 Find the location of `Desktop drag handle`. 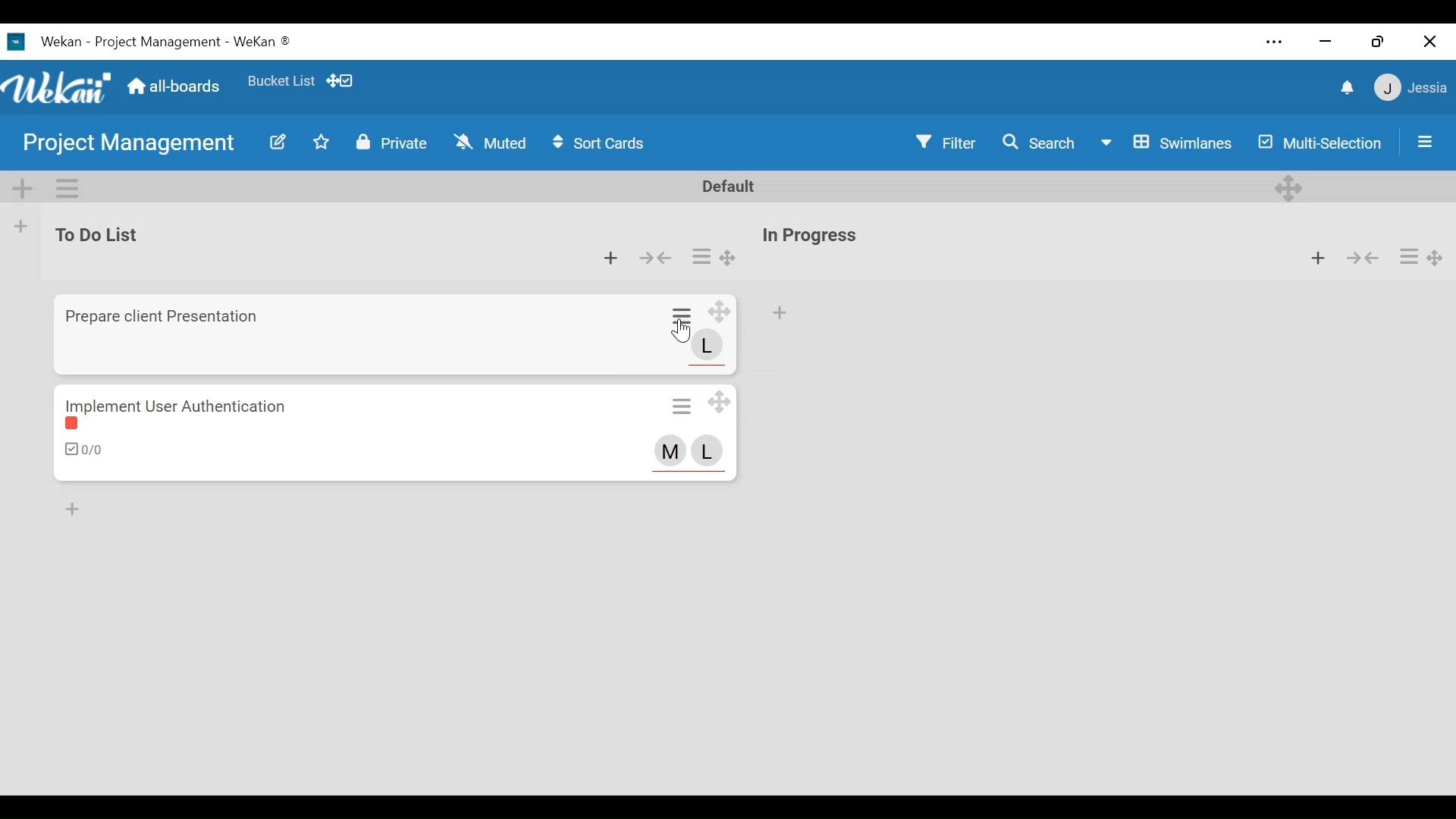

Desktop drag handle is located at coordinates (720, 312).